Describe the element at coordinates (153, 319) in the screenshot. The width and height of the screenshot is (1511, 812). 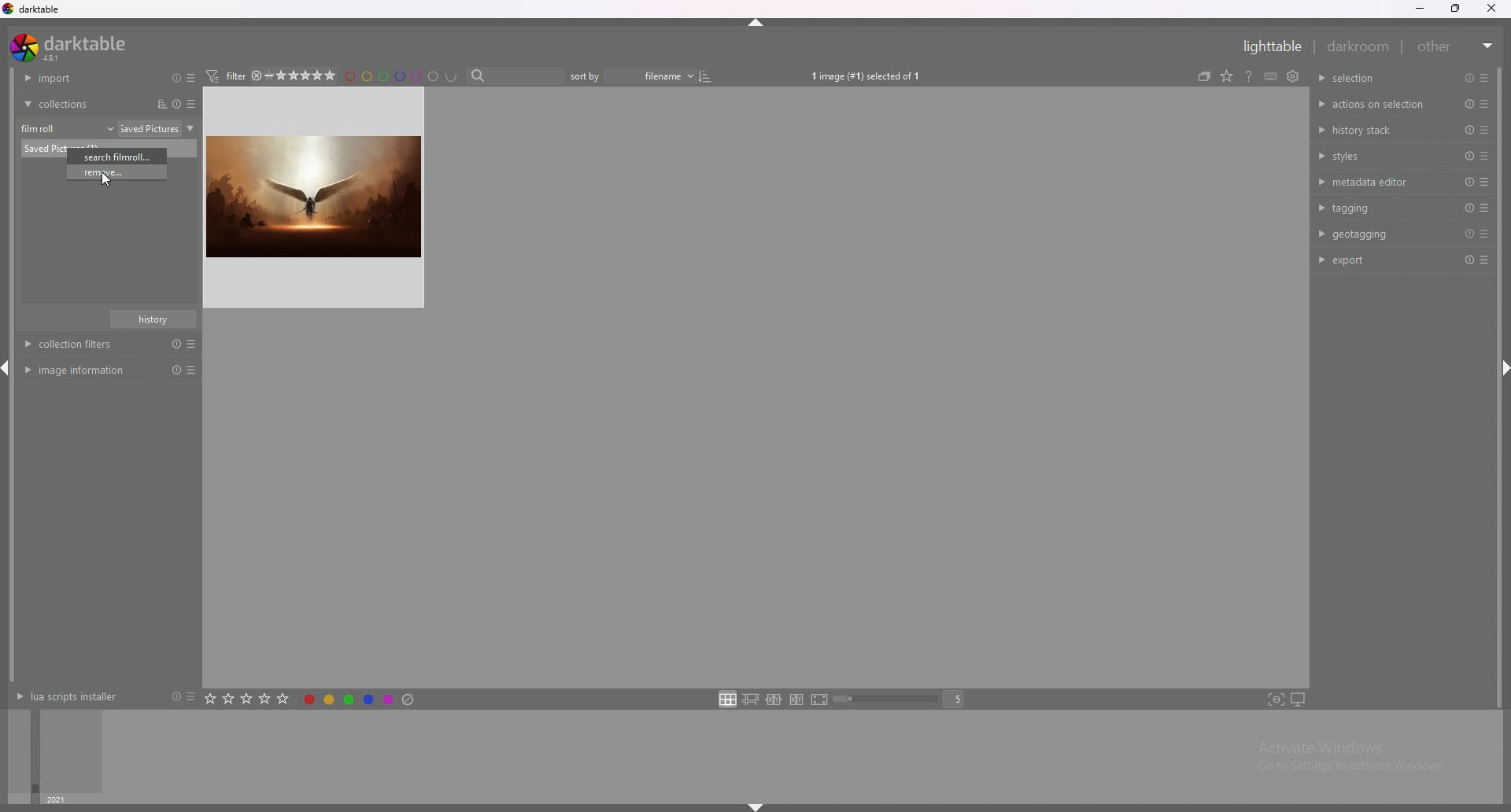
I see `history name` at that location.